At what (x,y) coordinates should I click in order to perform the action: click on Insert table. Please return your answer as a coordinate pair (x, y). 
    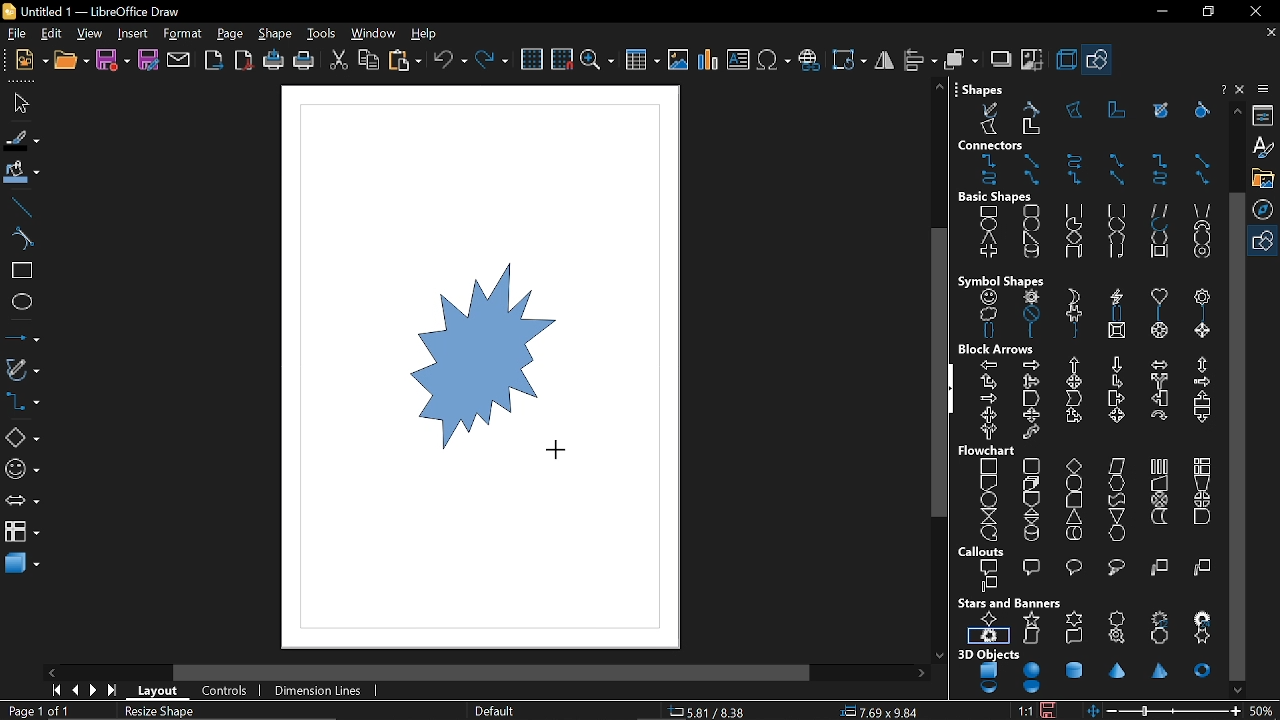
    Looking at the image, I should click on (641, 62).